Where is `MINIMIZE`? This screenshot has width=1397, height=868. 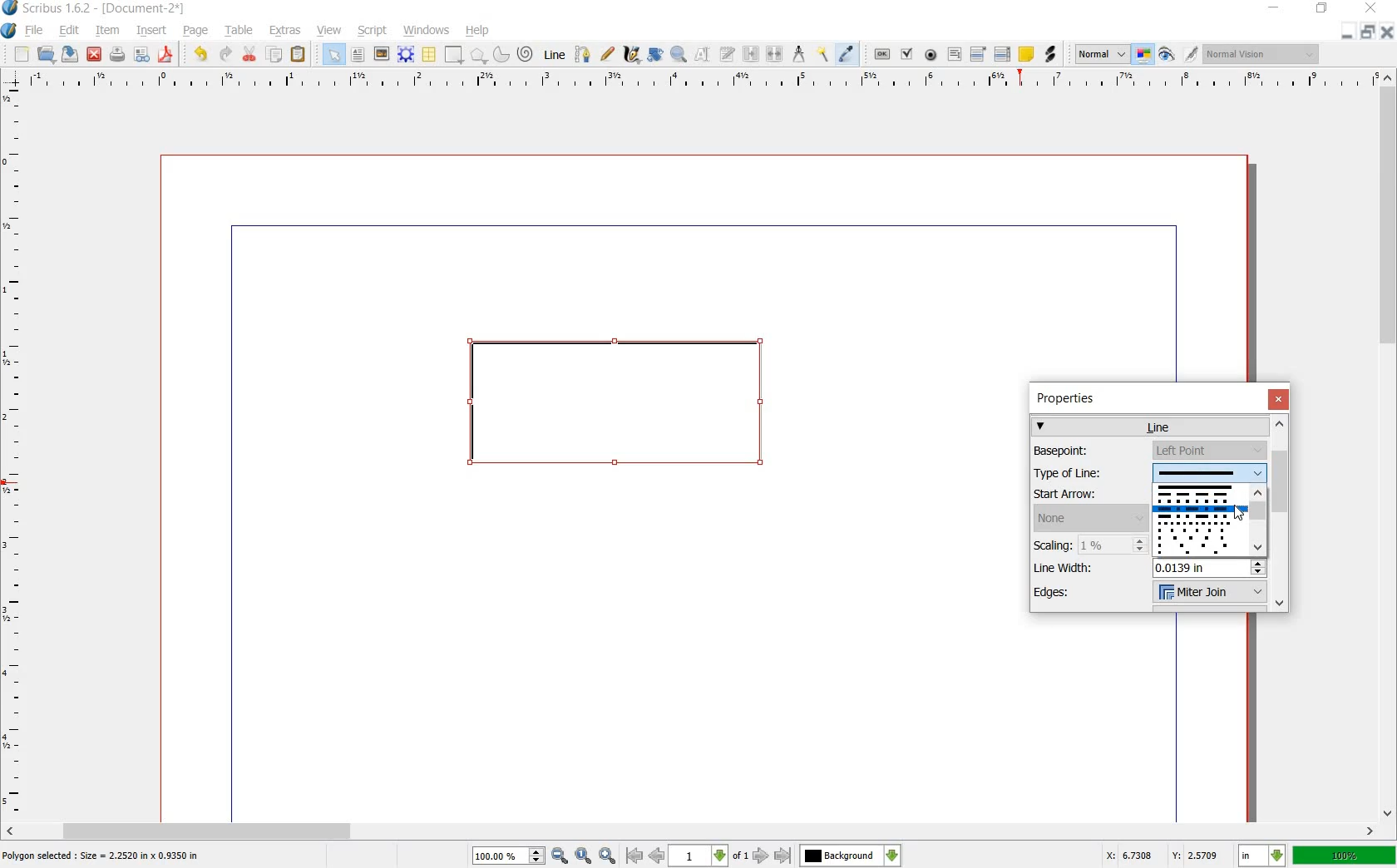
MINIMIZE is located at coordinates (1350, 32).